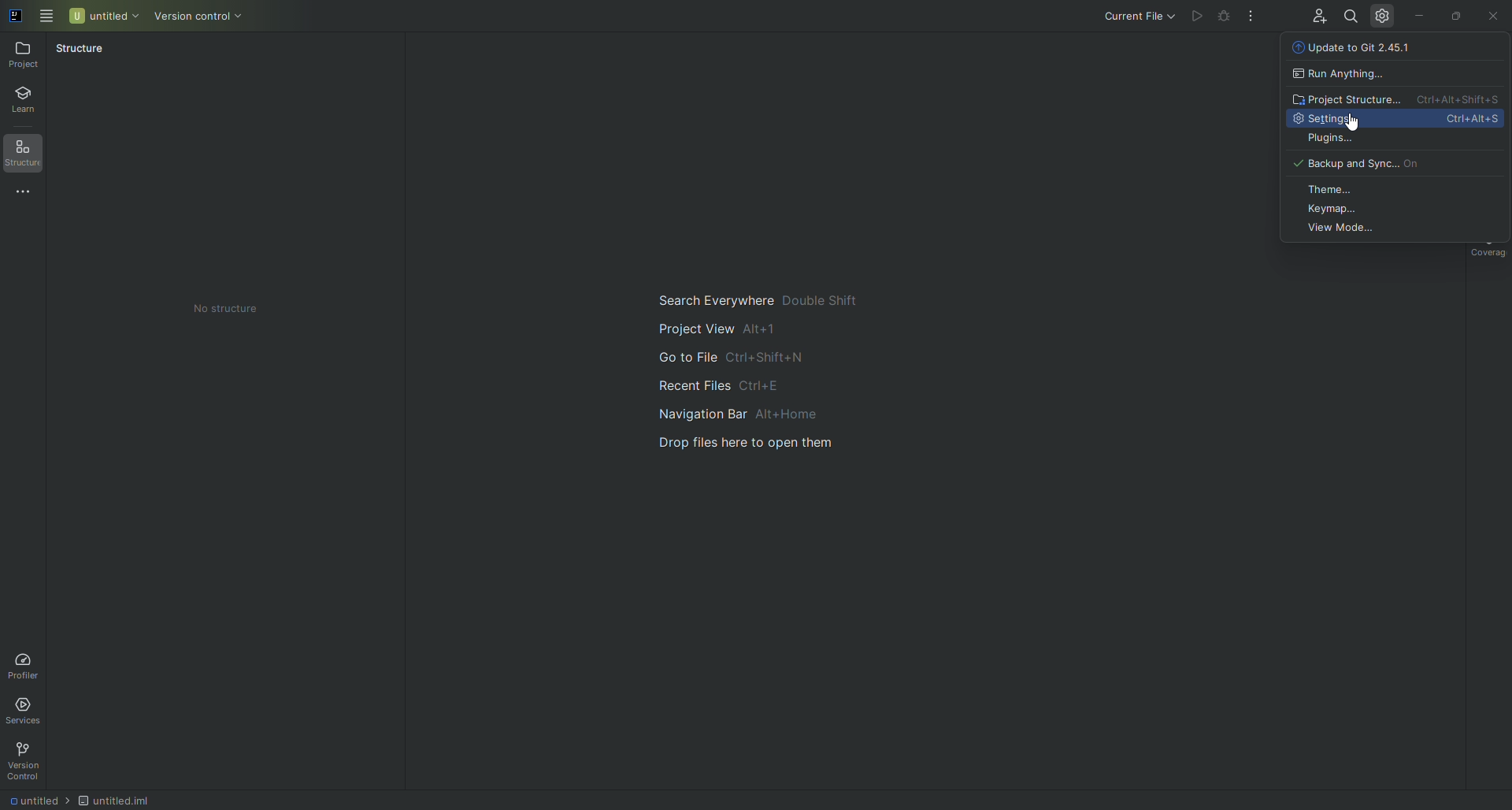 Image resolution: width=1512 pixels, height=810 pixels. What do you see at coordinates (1399, 211) in the screenshot?
I see `Keymap` at bounding box center [1399, 211].